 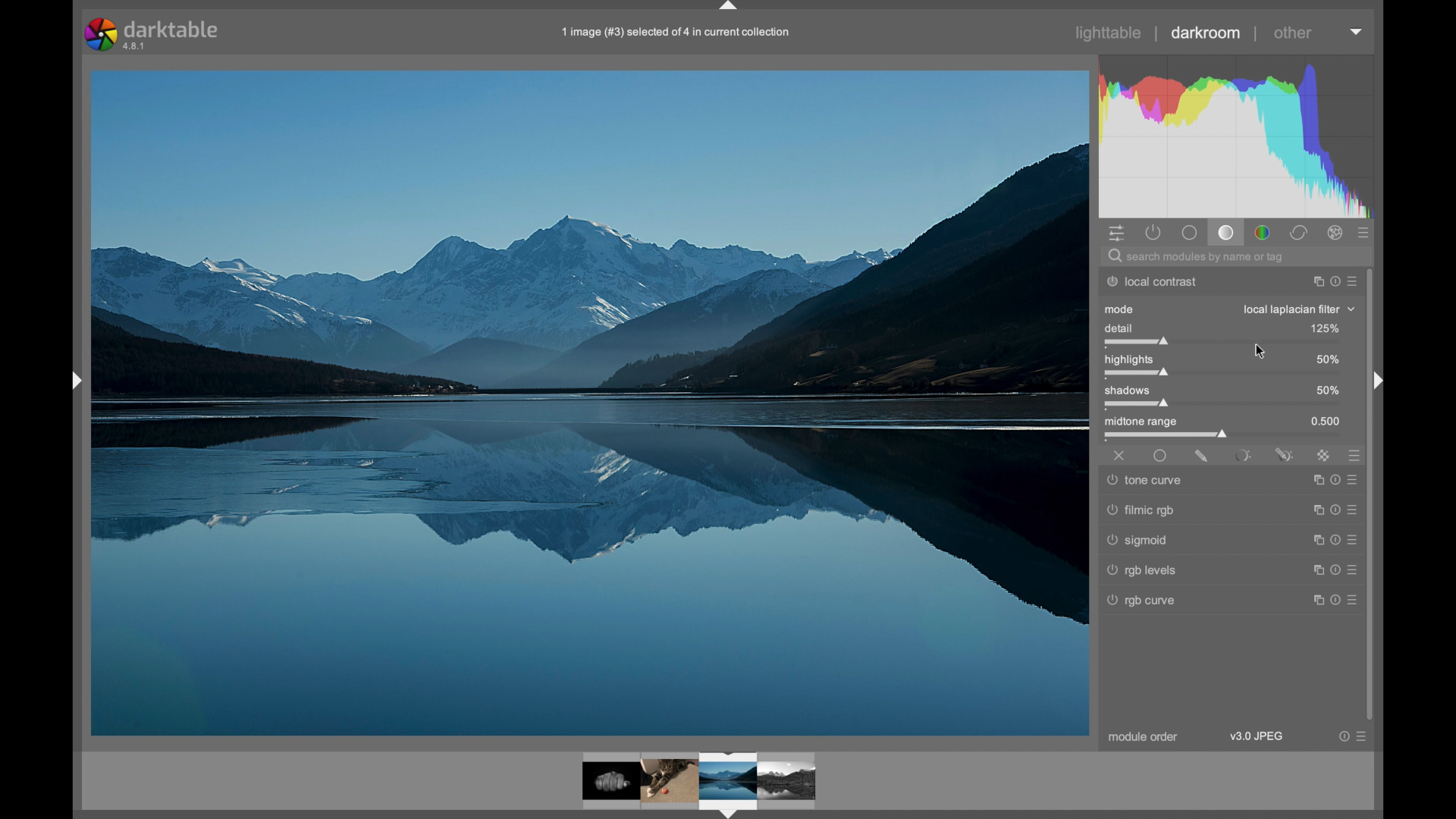 What do you see at coordinates (1142, 422) in the screenshot?
I see `midtown range` at bounding box center [1142, 422].